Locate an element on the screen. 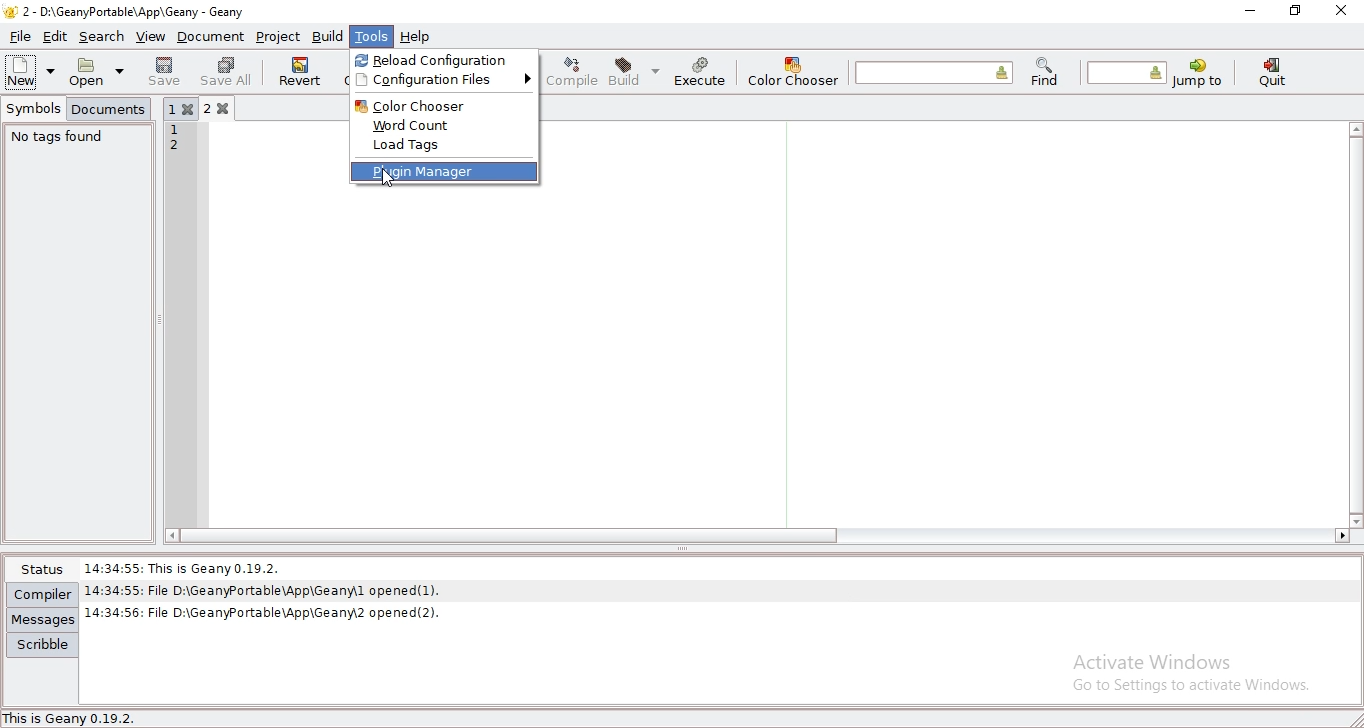 Image resolution: width=1364 pixels, height=728 pixels. save all is located at coordinates (227, 71).